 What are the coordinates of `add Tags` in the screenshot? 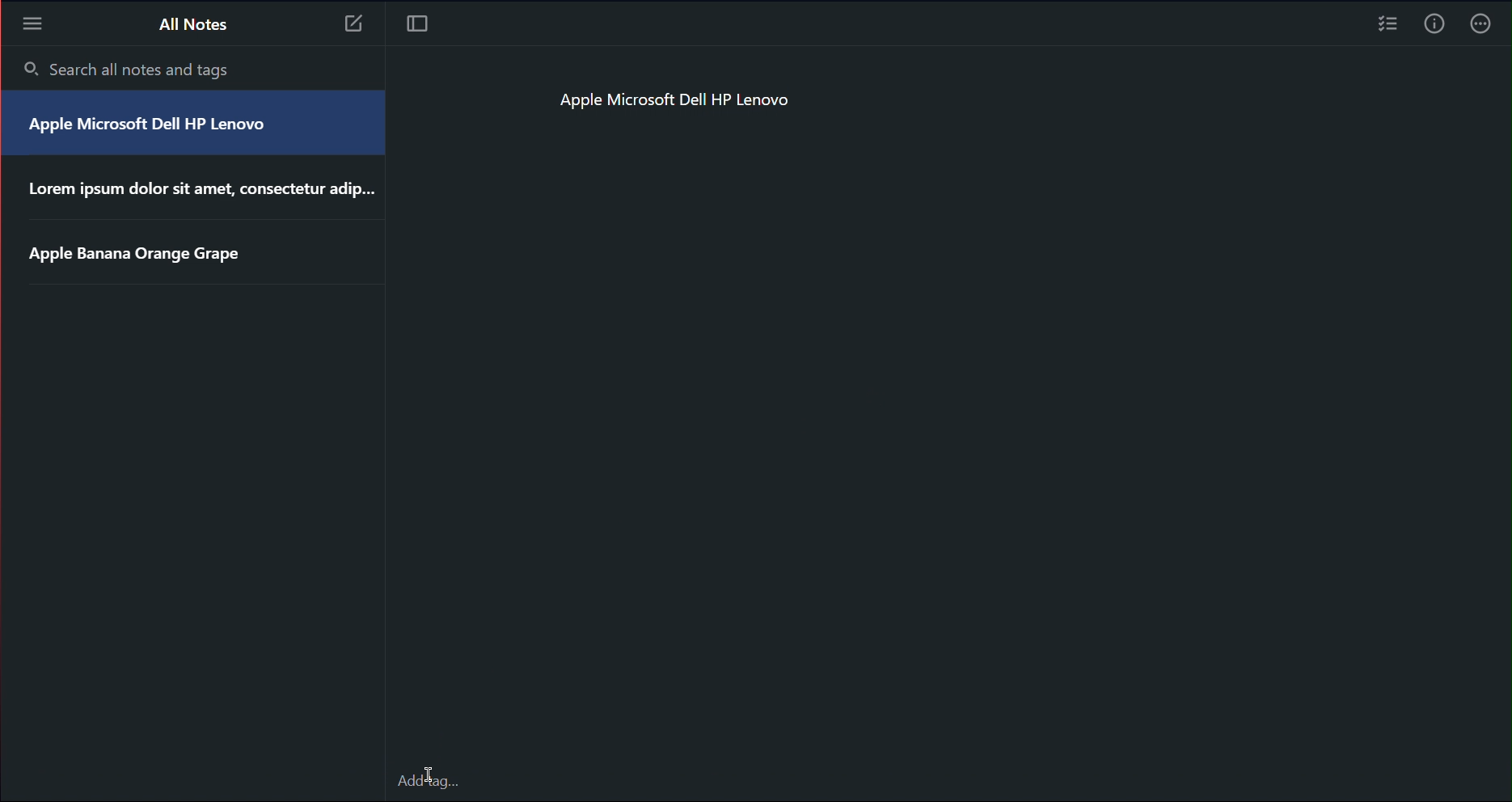 It's located at (430, 783).